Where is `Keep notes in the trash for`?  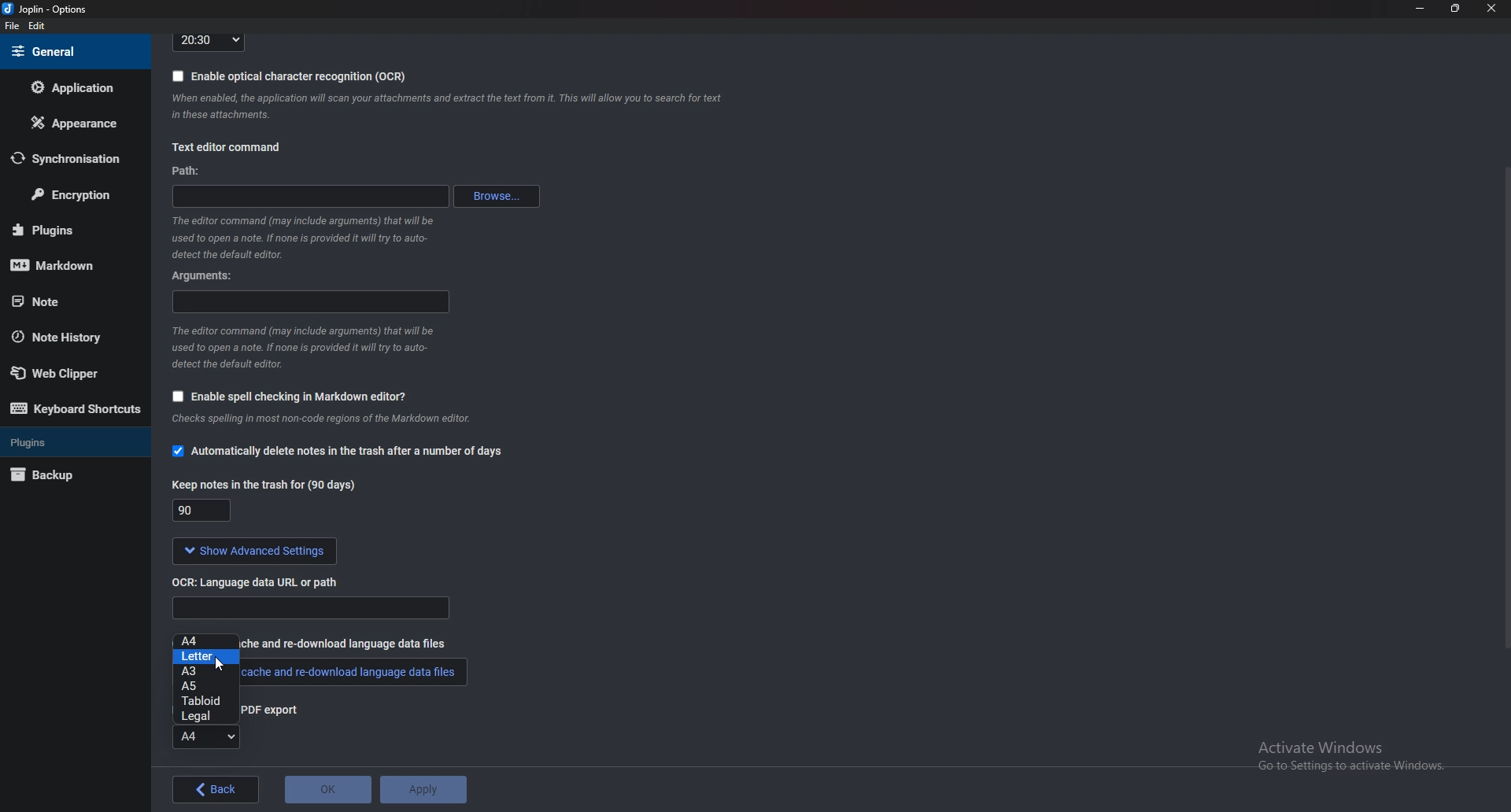
Keep notes in the trash for is located at coordinates (205, 512).